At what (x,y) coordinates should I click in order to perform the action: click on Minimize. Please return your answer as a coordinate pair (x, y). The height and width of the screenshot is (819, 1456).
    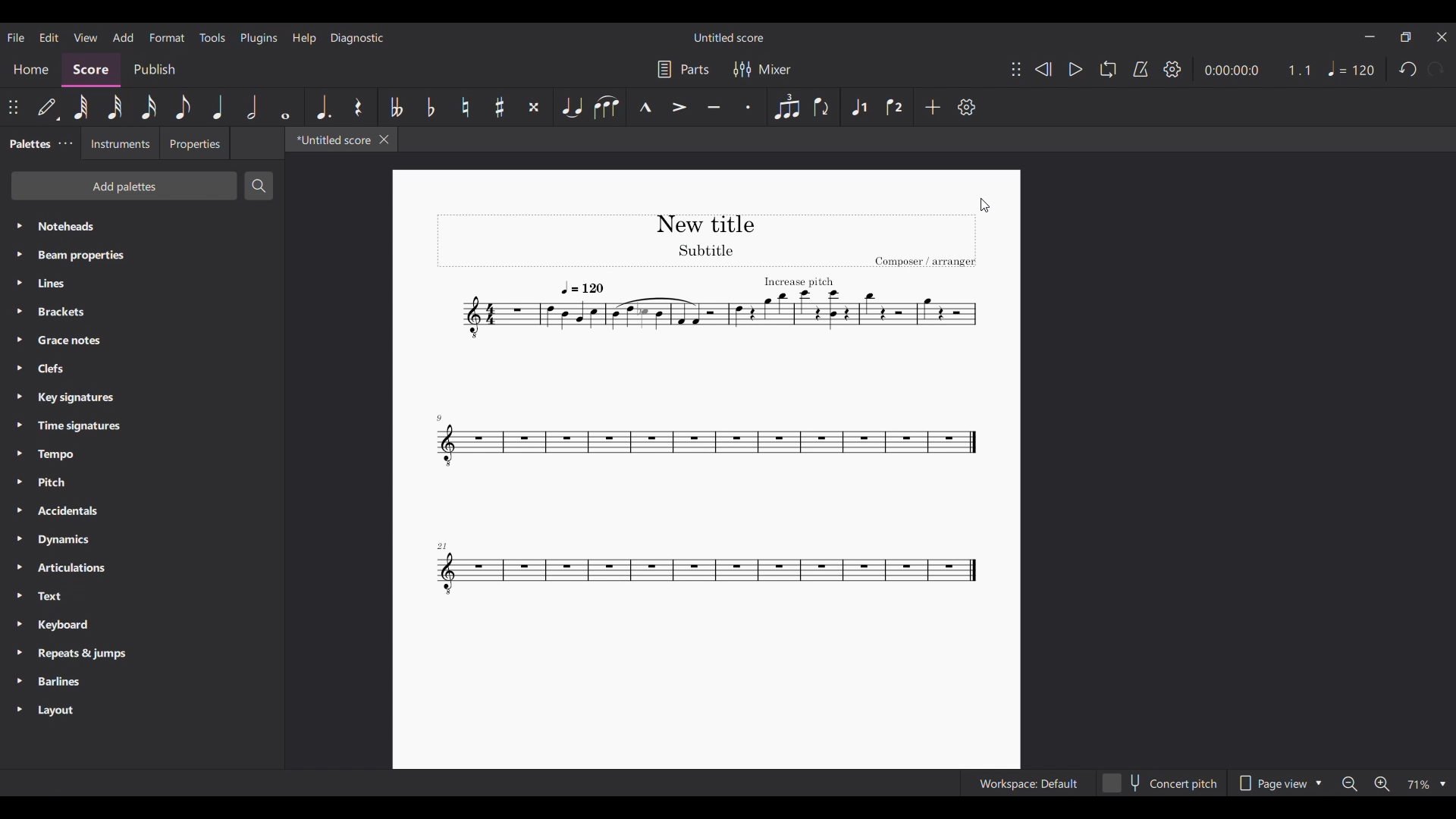
    Looking at the image, I should click on (1370, 36).